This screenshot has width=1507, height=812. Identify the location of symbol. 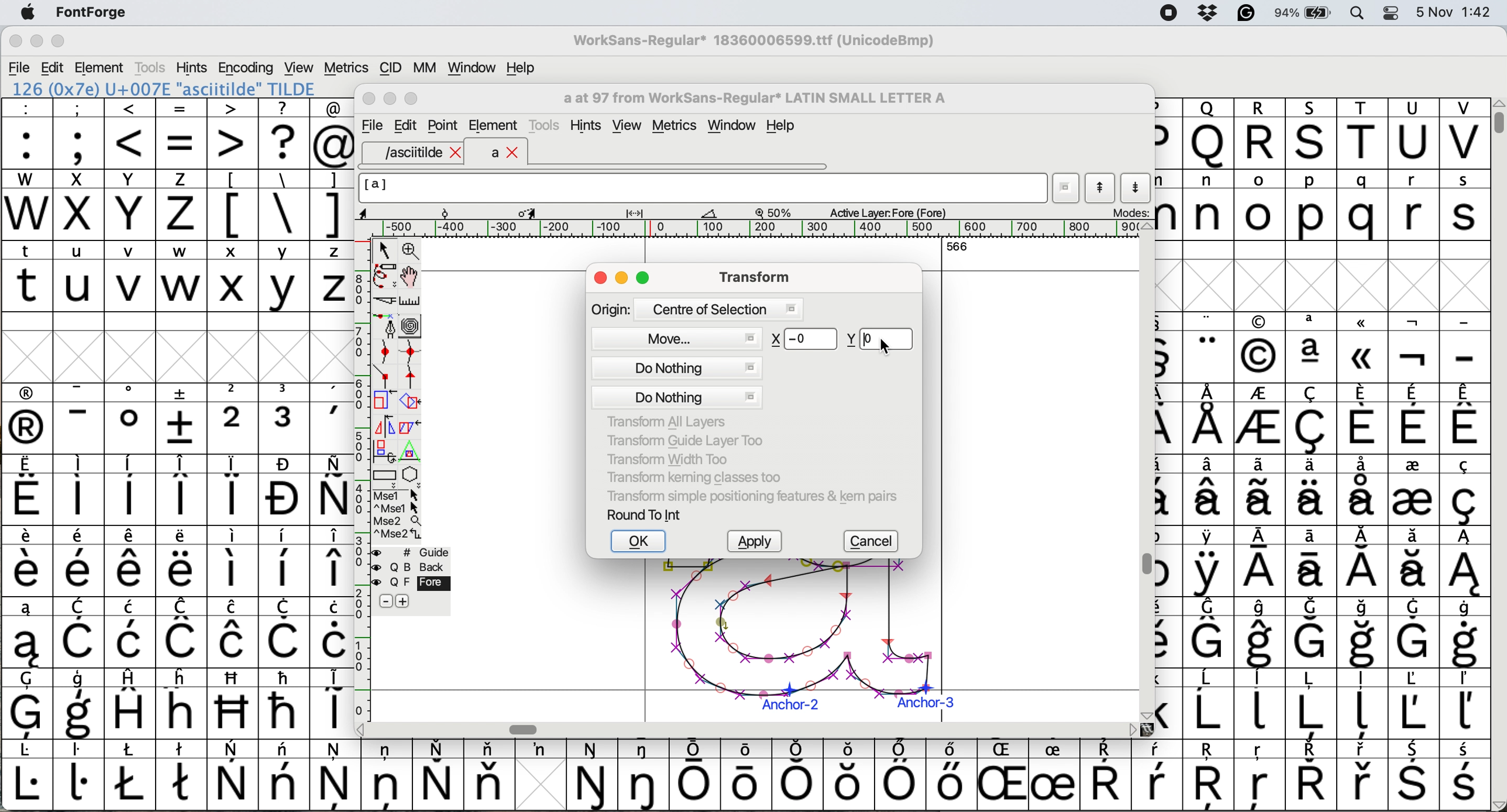
(387, 773).